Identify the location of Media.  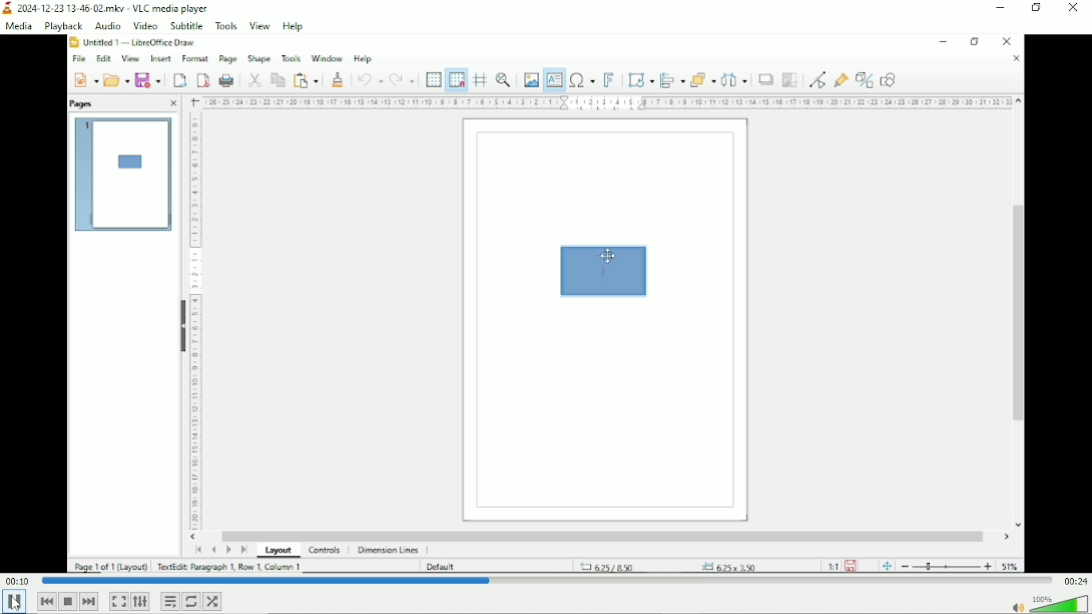
(19, 27).